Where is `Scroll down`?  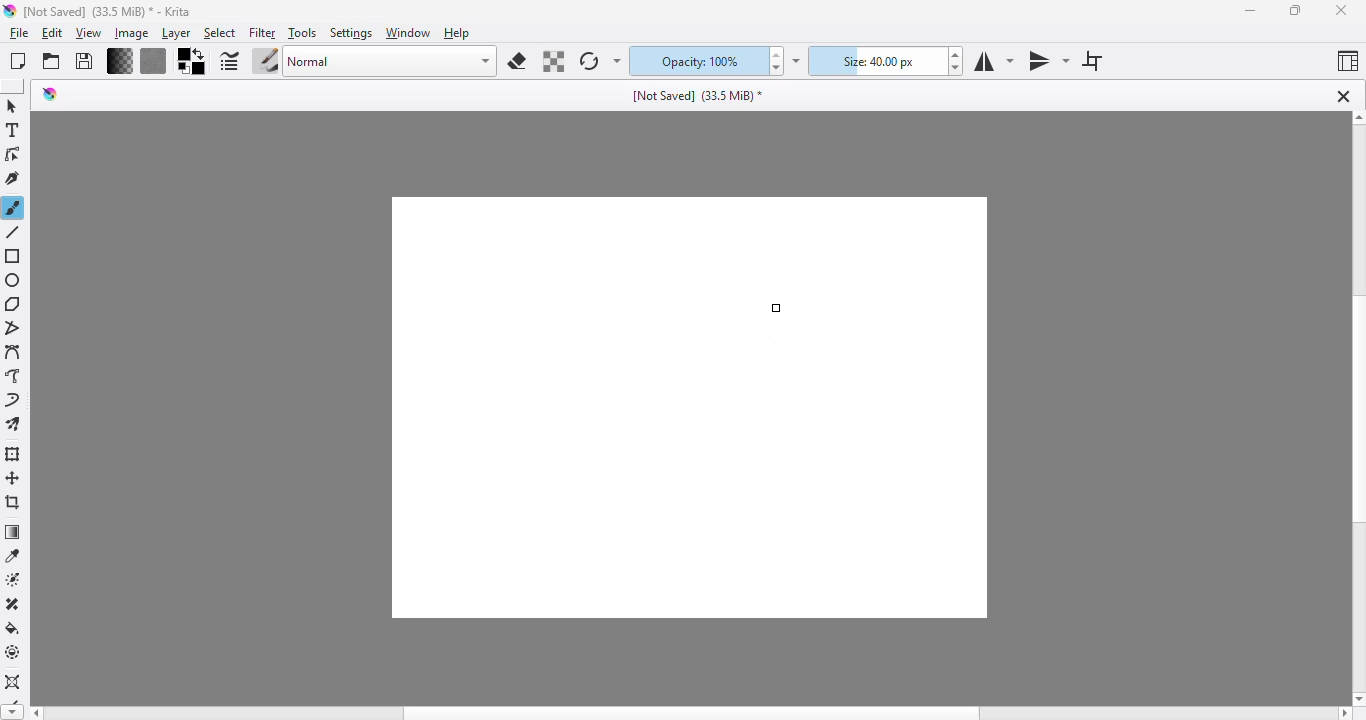 Scroll down is located at coordinates (12, 711).